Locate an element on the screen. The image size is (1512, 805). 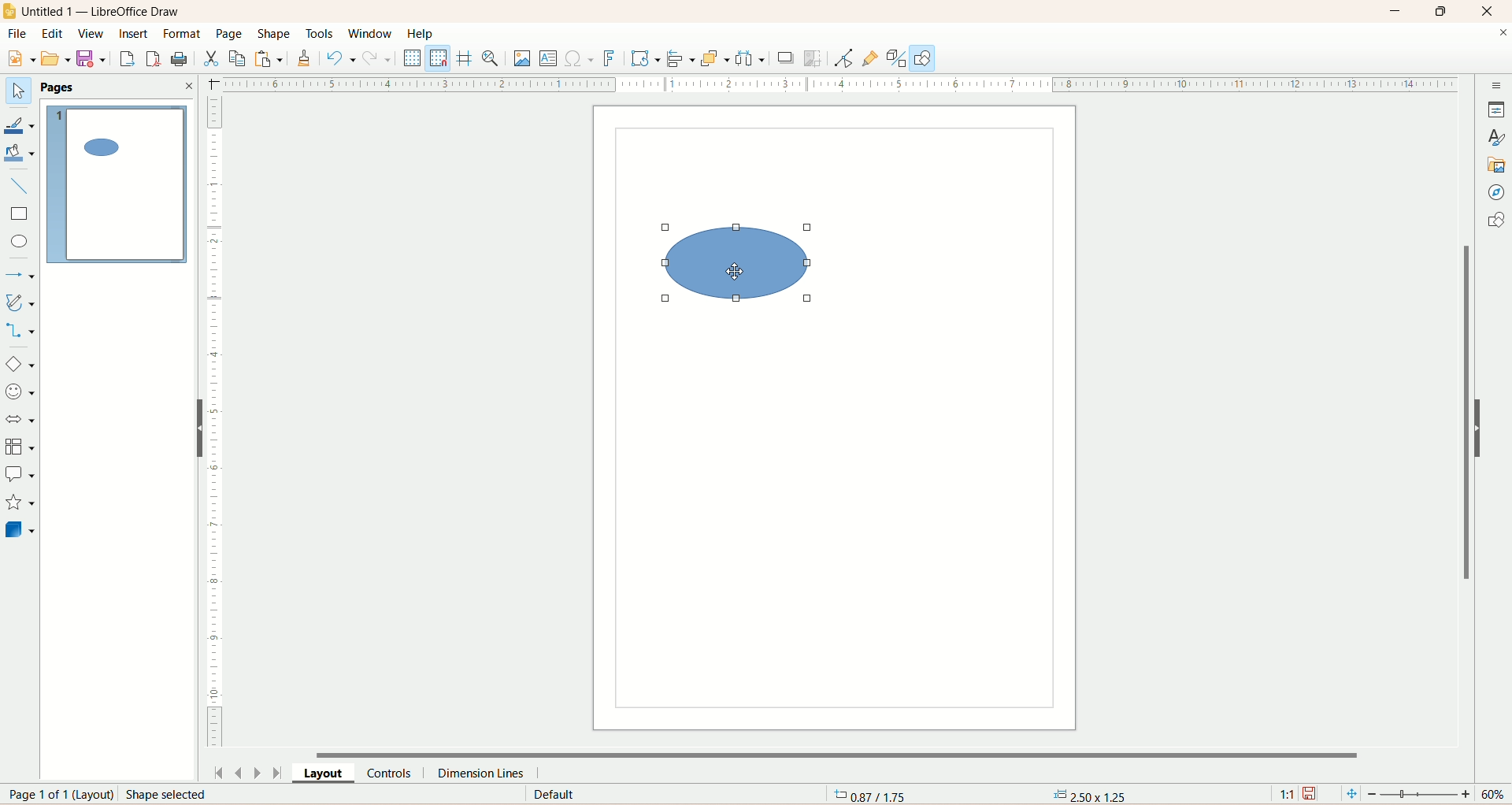
hide is located at coordinates (193, 427).